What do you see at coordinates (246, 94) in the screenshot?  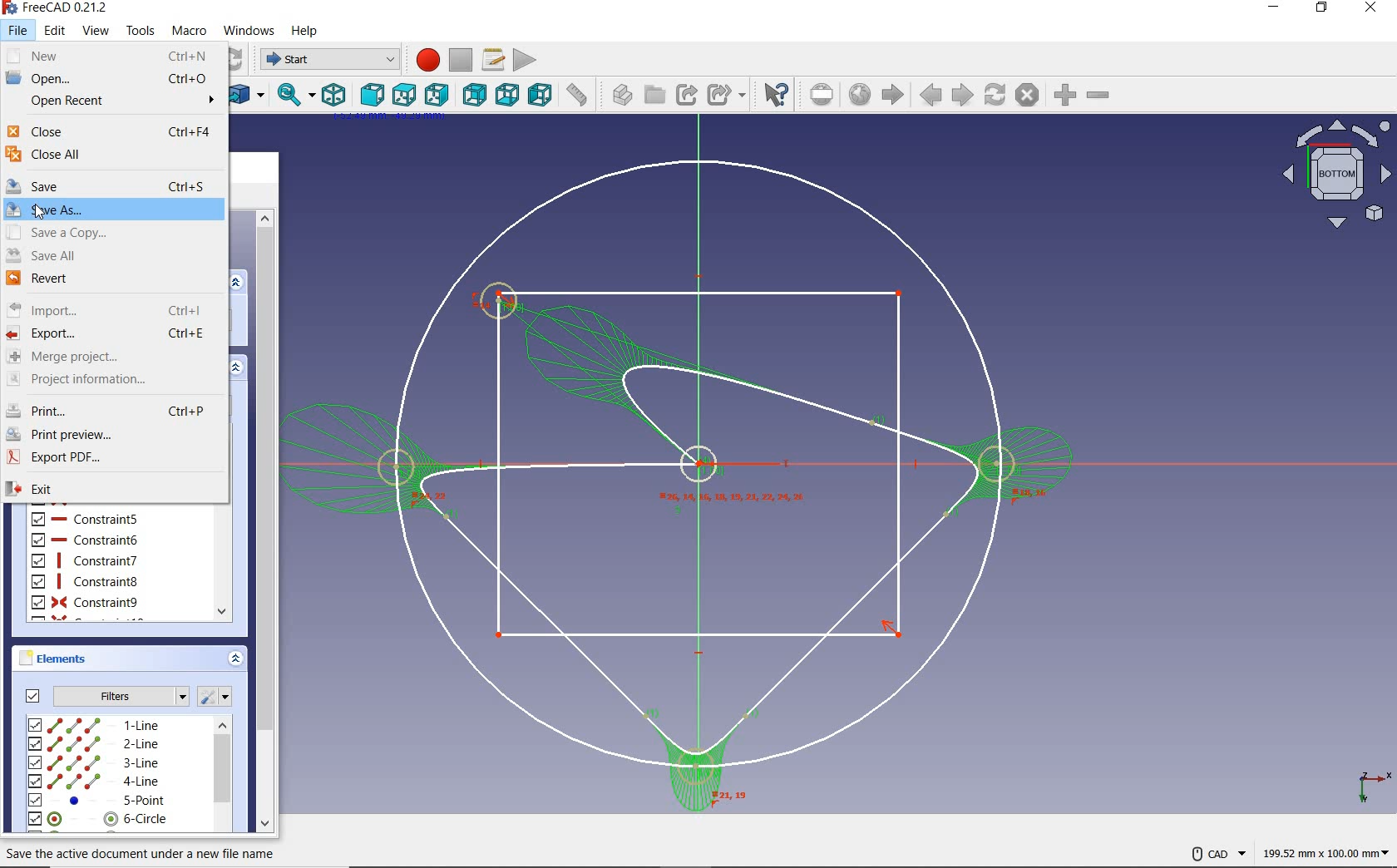 I see `go tolinked object` at bounding box center [246, 94].